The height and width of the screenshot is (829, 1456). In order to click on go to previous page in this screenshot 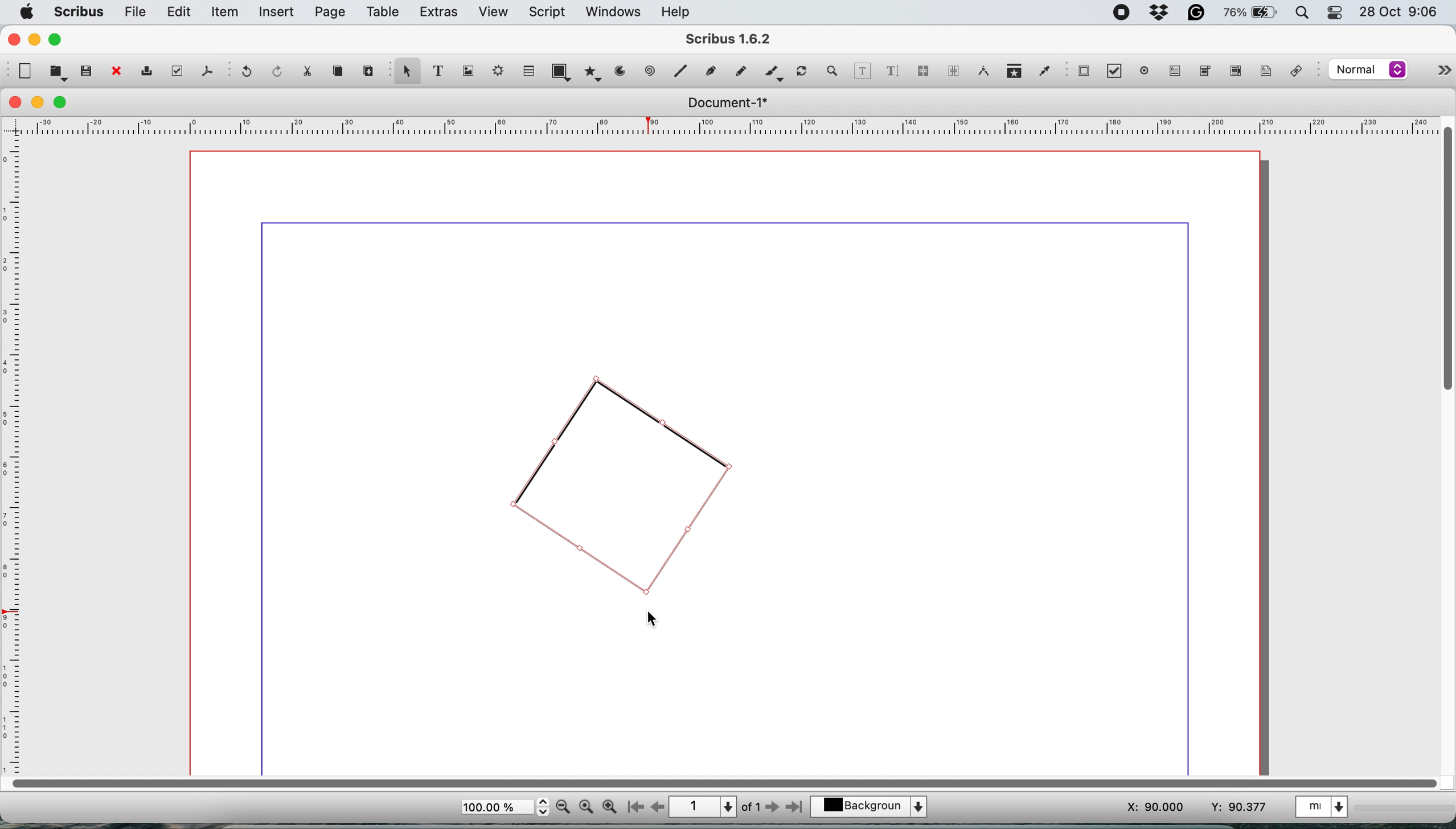, I will do `click(658, 806)`.